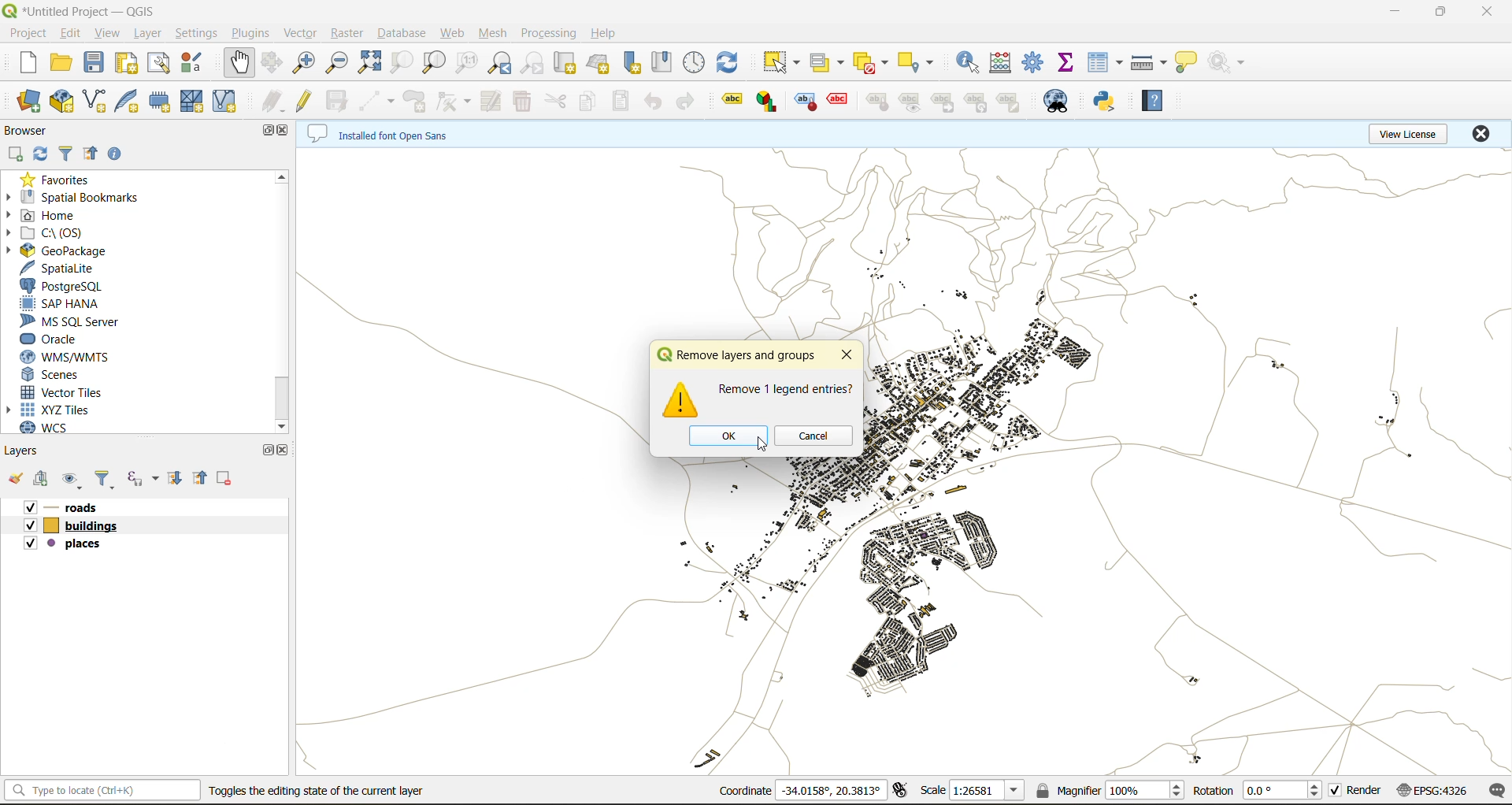 Image resolution: width=1512 pixels, height=805 pixels. Describe the element at coordinates (286, 132) in the screenshot. I see `close` at that location.